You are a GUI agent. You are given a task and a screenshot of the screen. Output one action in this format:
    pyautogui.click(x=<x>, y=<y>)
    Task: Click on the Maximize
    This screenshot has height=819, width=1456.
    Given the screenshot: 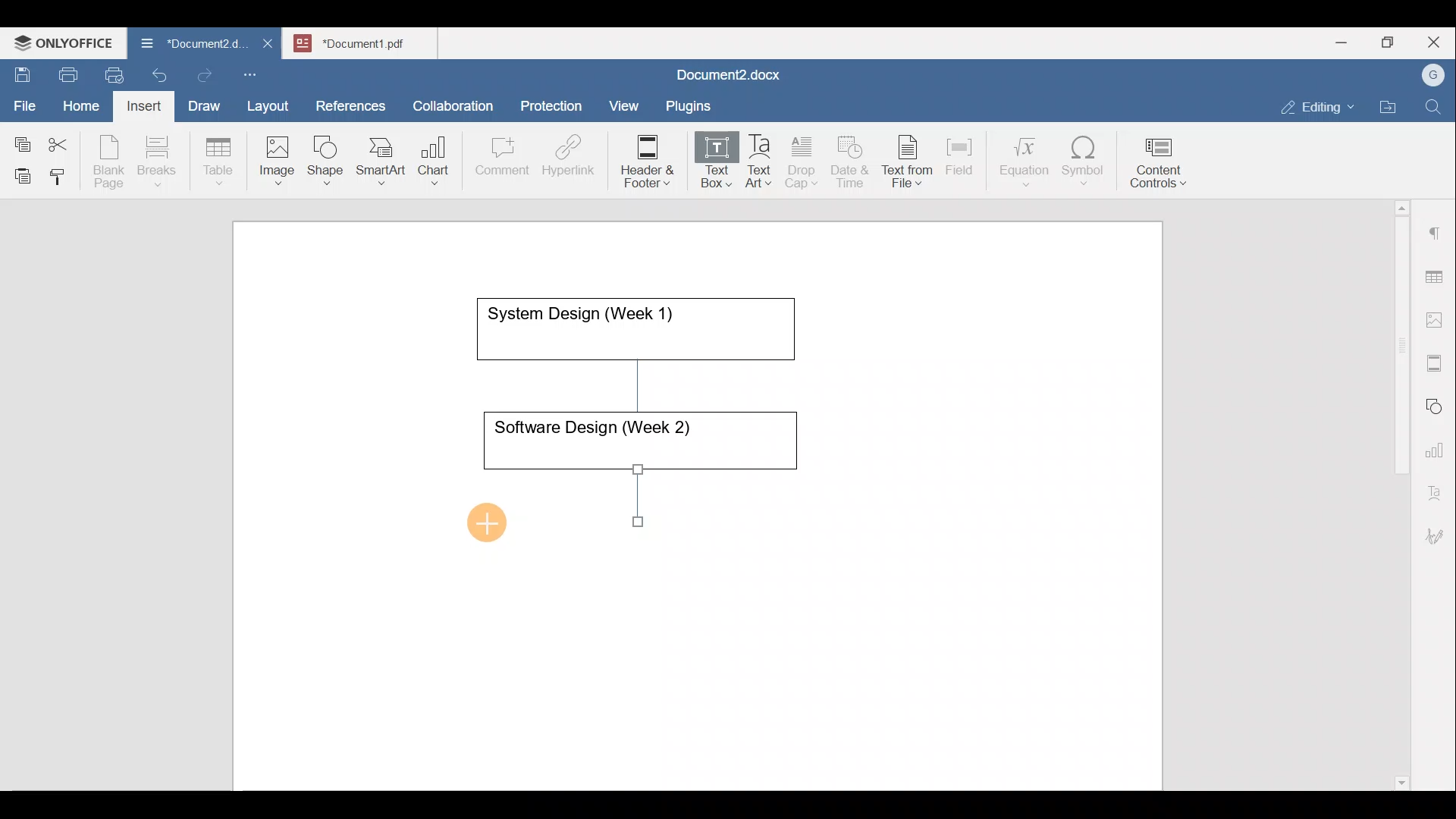 What is the action you would take?
    pyautogui.click(x=1392, y=42)
    